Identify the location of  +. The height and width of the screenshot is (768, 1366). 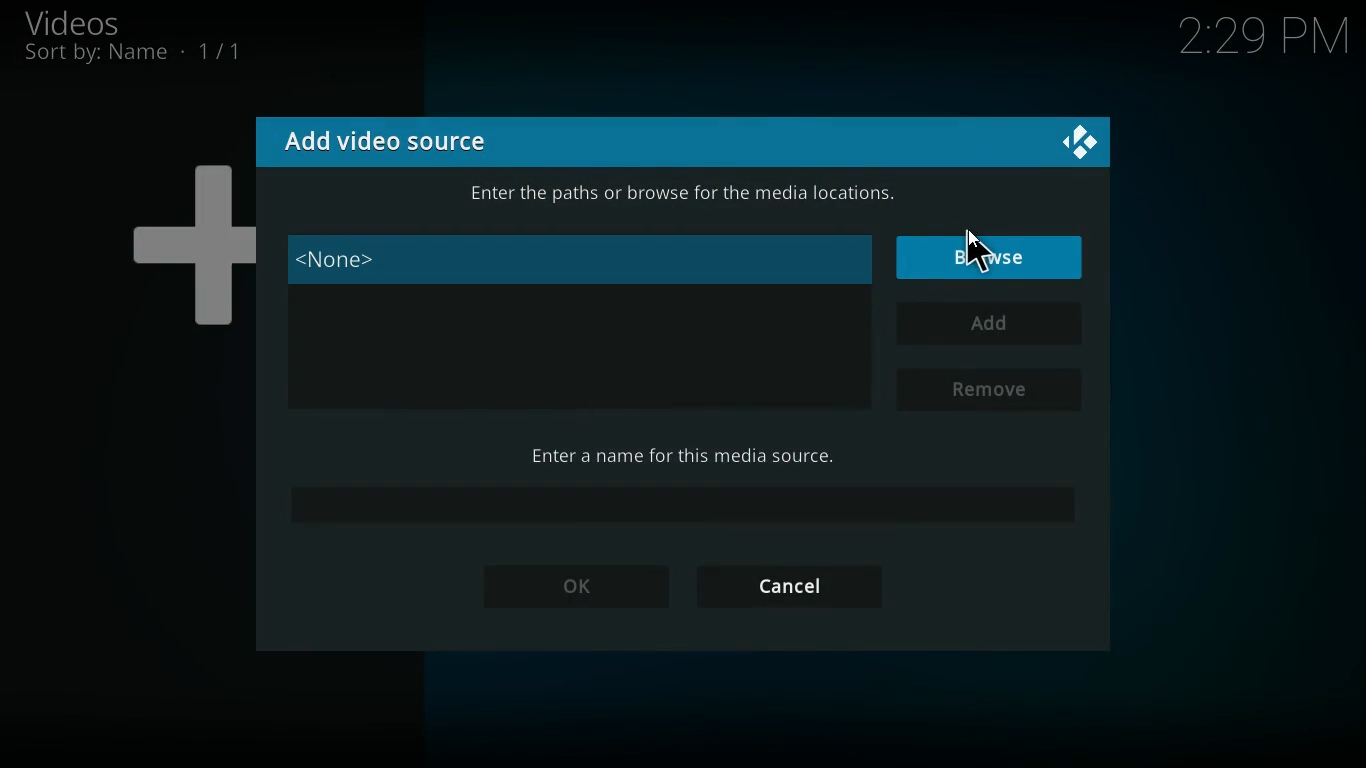
(181, 237).